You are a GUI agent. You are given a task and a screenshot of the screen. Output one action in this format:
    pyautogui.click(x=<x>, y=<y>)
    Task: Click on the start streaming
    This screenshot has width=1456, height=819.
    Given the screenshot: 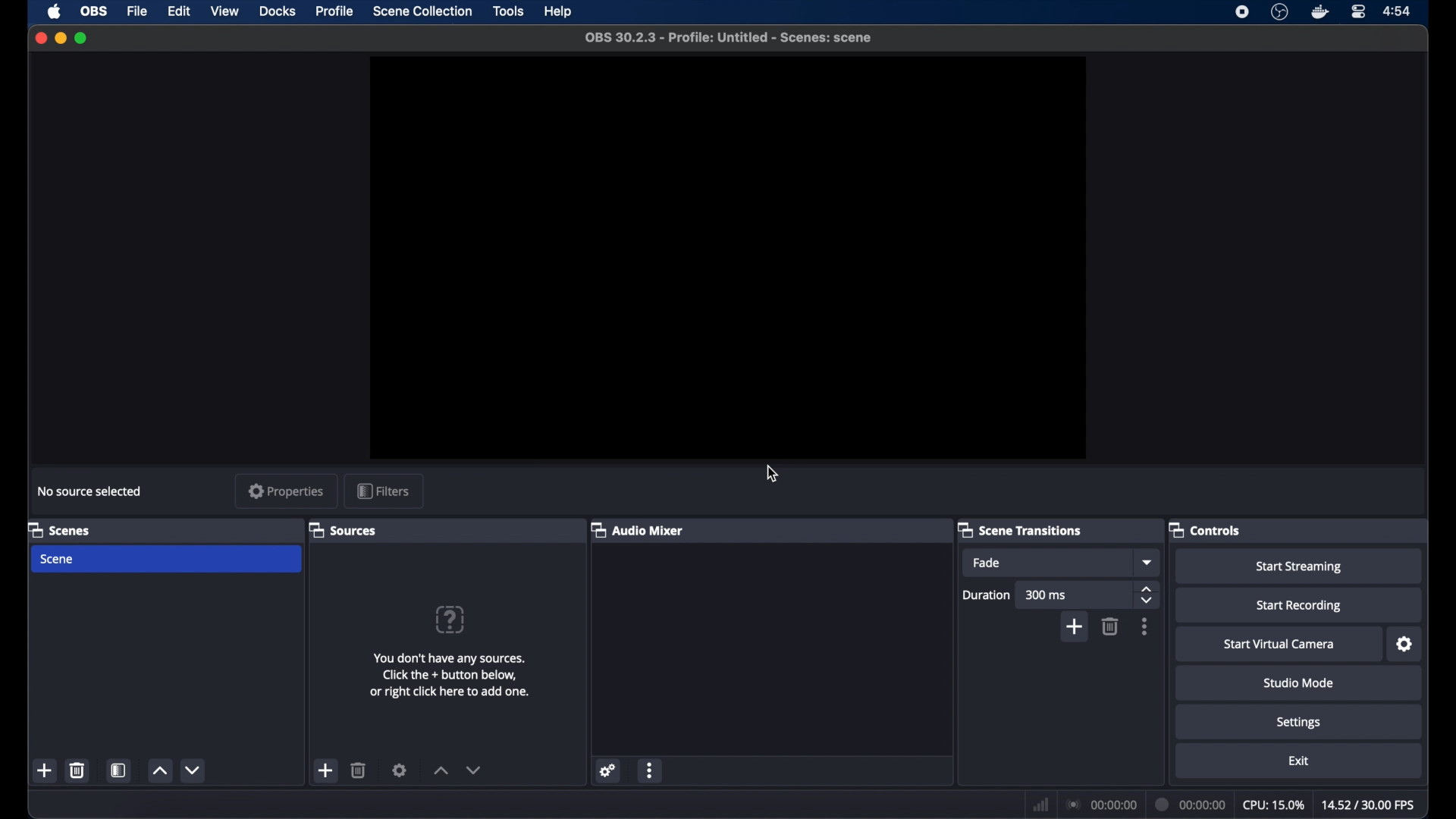 What is the action you would take?
    pyautogui.click(x=1297, y=565)
    